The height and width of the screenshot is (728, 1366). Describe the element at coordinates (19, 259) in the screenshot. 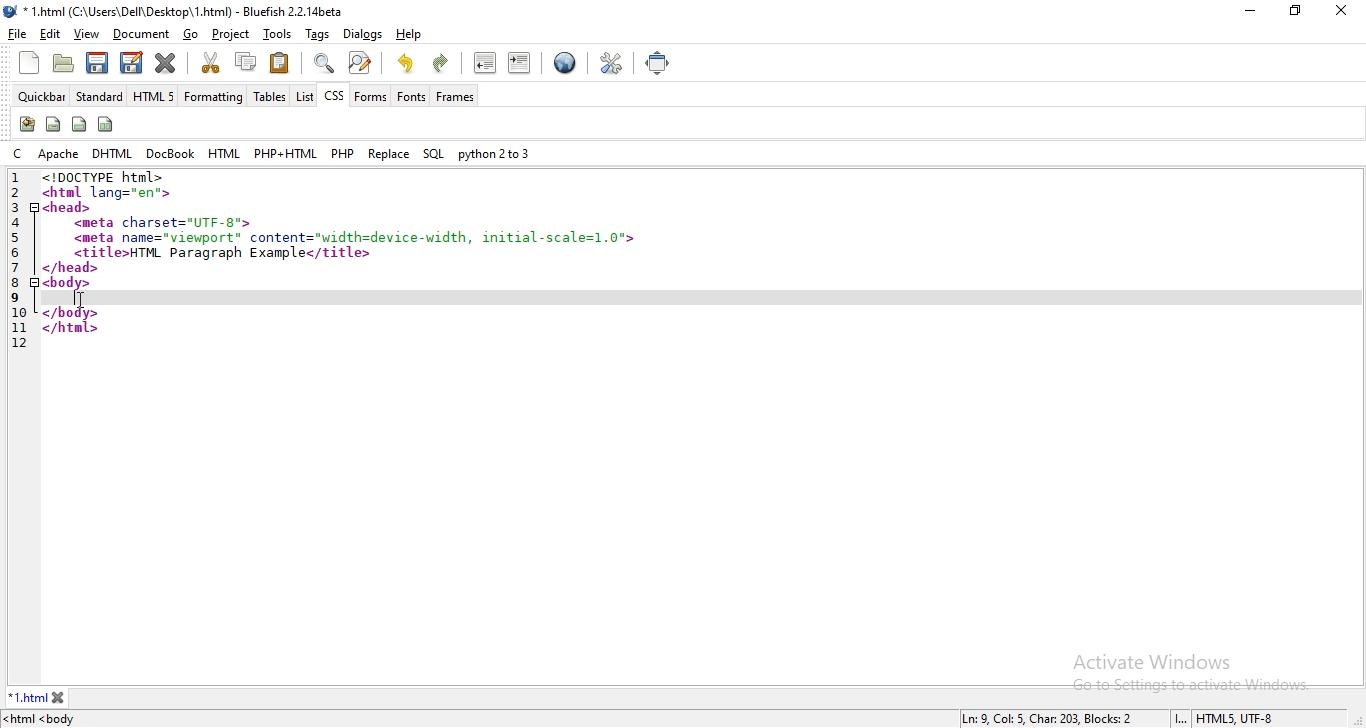

I see `line numbers utilised from 1 to 12` at that location.